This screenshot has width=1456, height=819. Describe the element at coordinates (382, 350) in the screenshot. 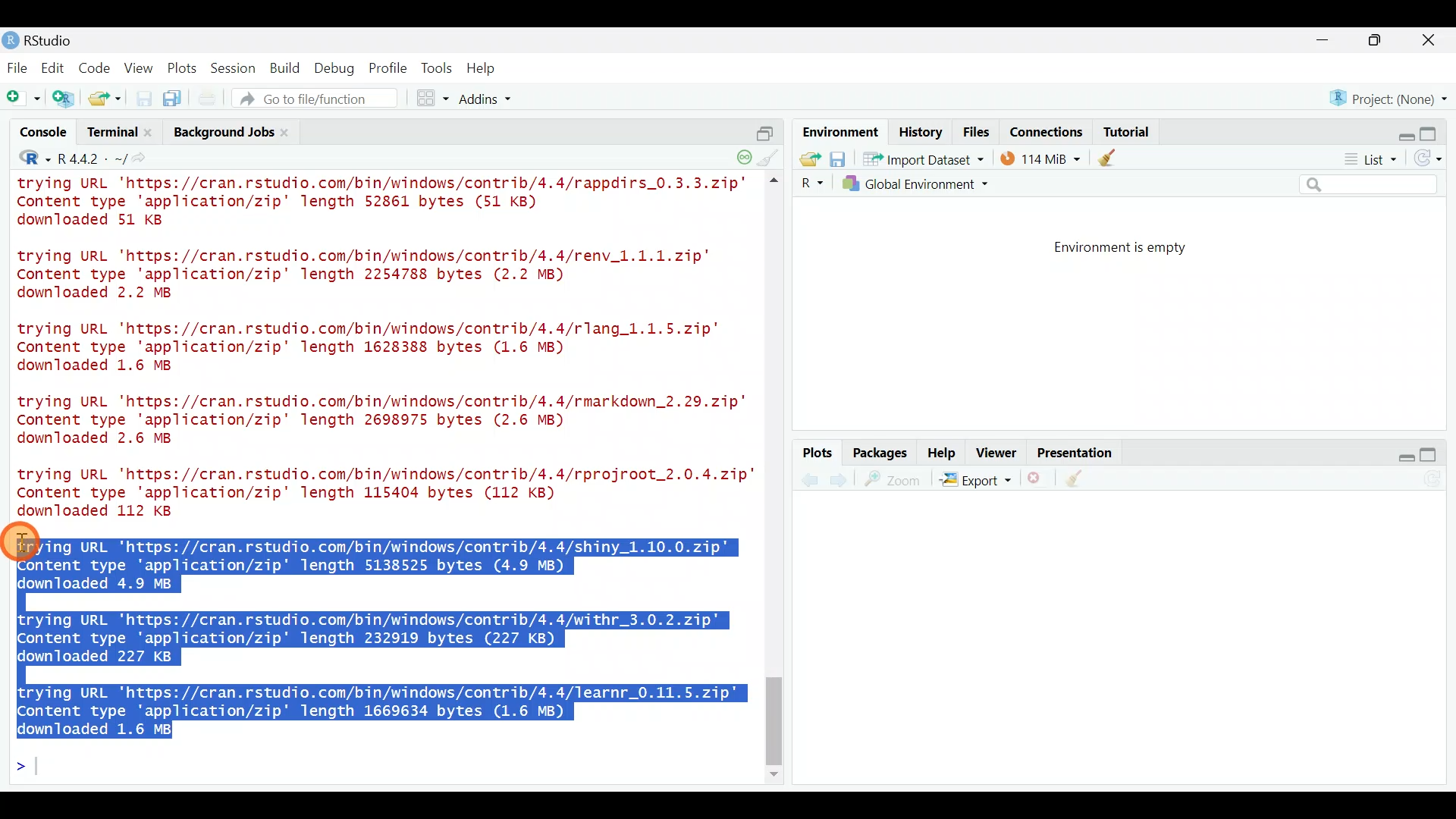

I see `trying URL 'https://cran.rstudio.com/bin/windows/contrib/4.4/rlang_1.1.5.zip"
Content type 'application/zip' length 1628388 bytes (1.6 MB)
downloaded 1.6 MB` at that location.